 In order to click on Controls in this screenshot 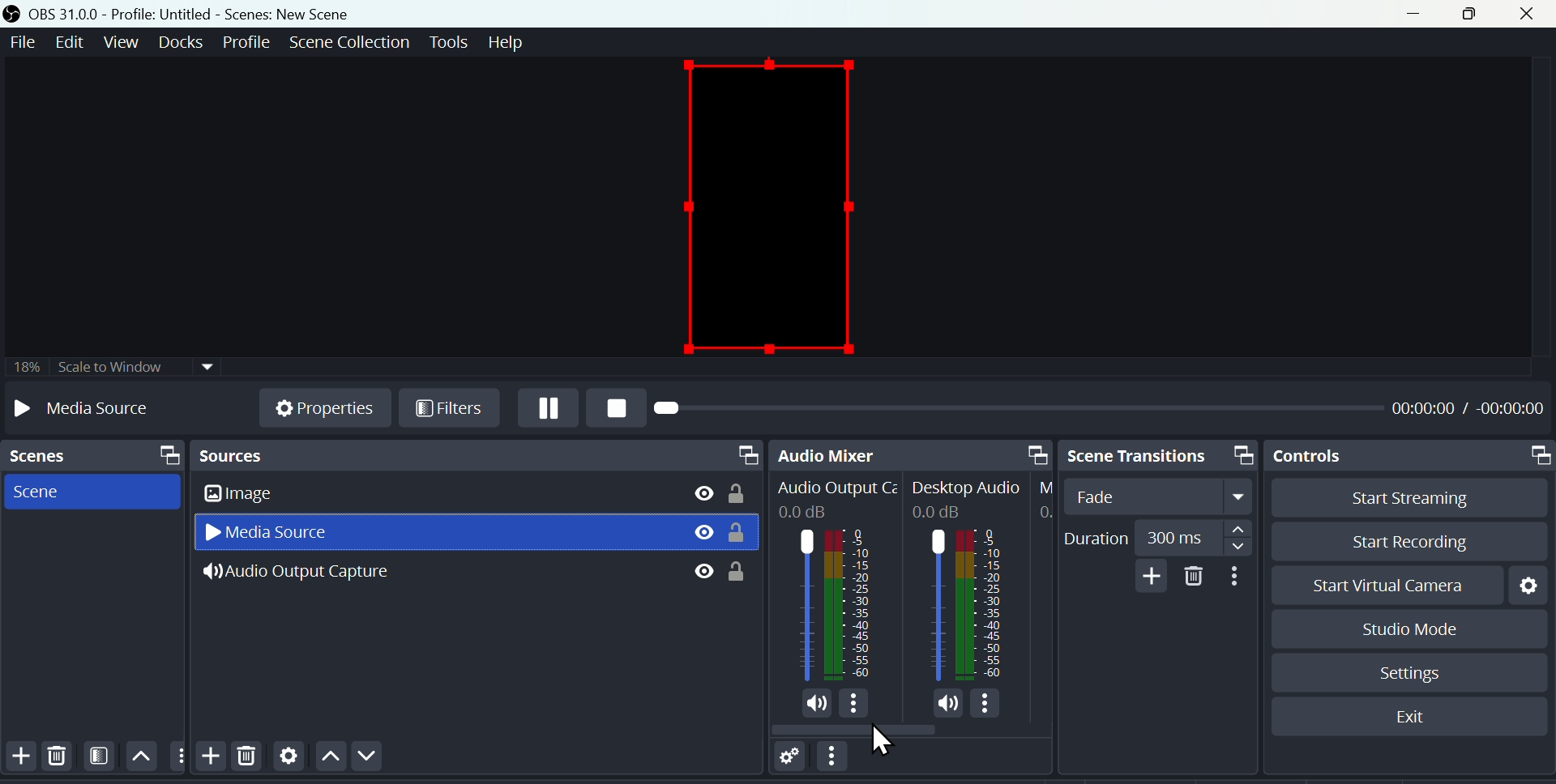, I will do `click(1413, 456)`.